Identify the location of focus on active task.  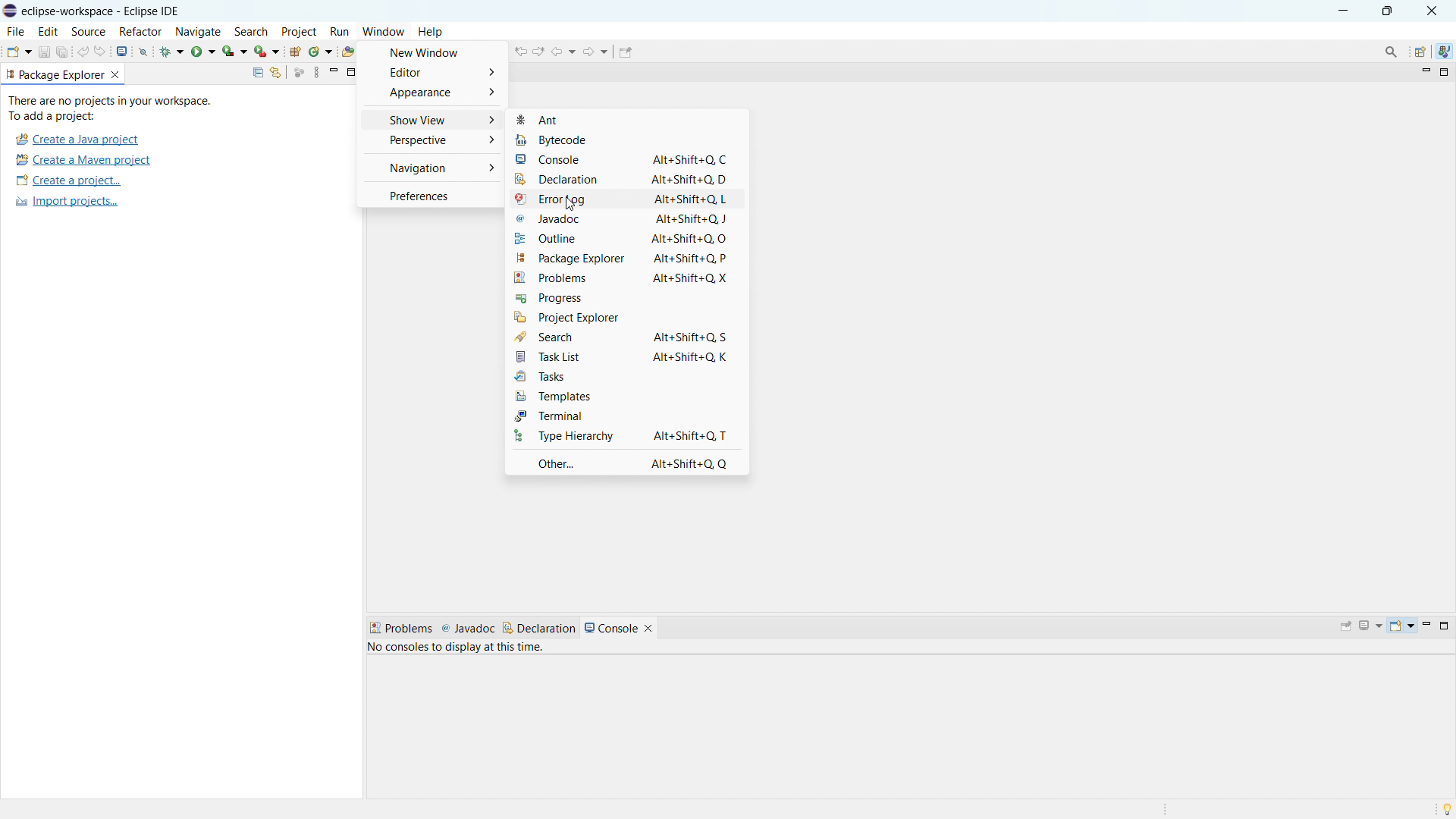
(297, 71).